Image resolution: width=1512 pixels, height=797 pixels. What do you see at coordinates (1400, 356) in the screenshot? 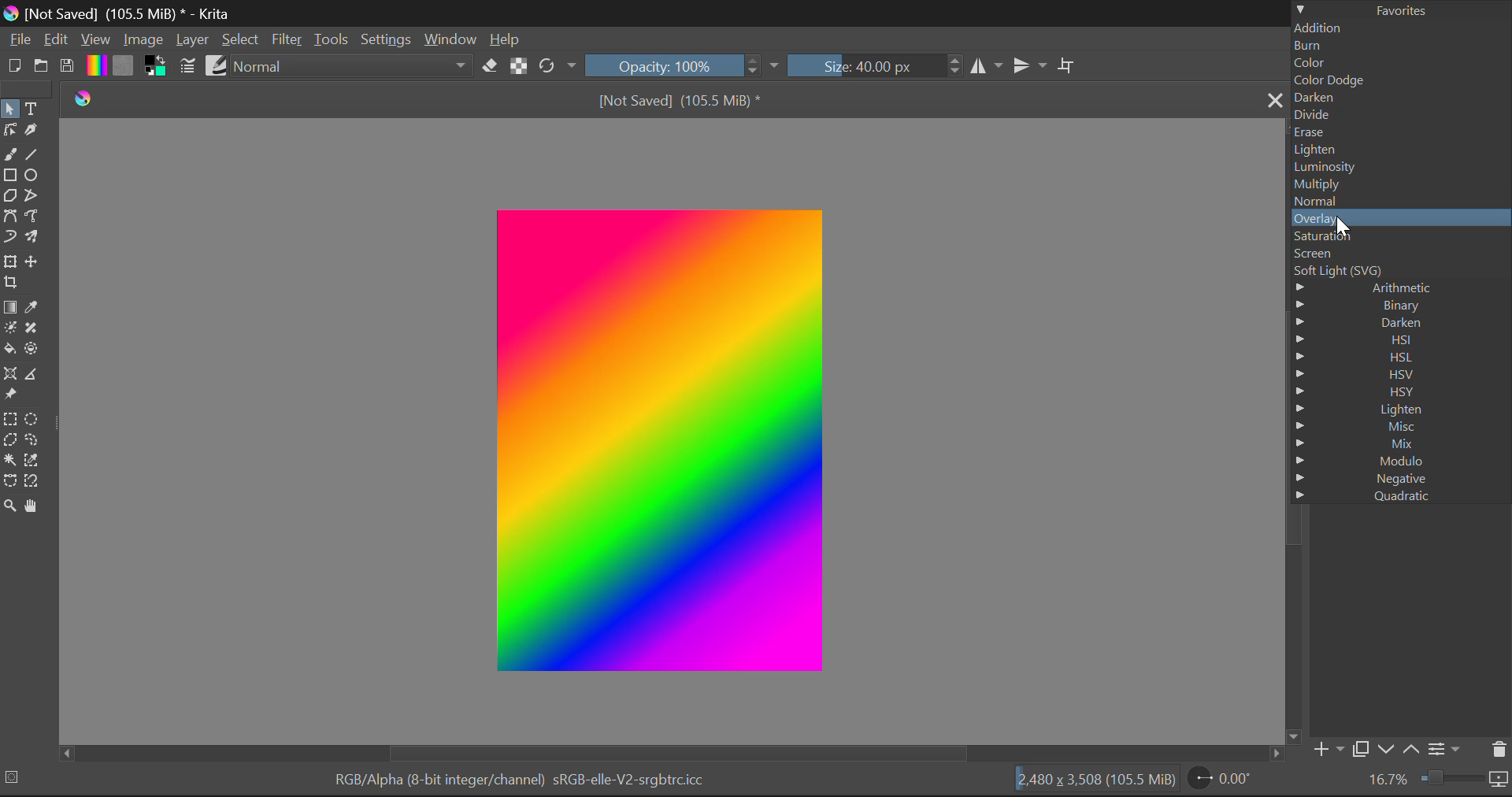
I see `HSL` at bounding box center [1400, 356].